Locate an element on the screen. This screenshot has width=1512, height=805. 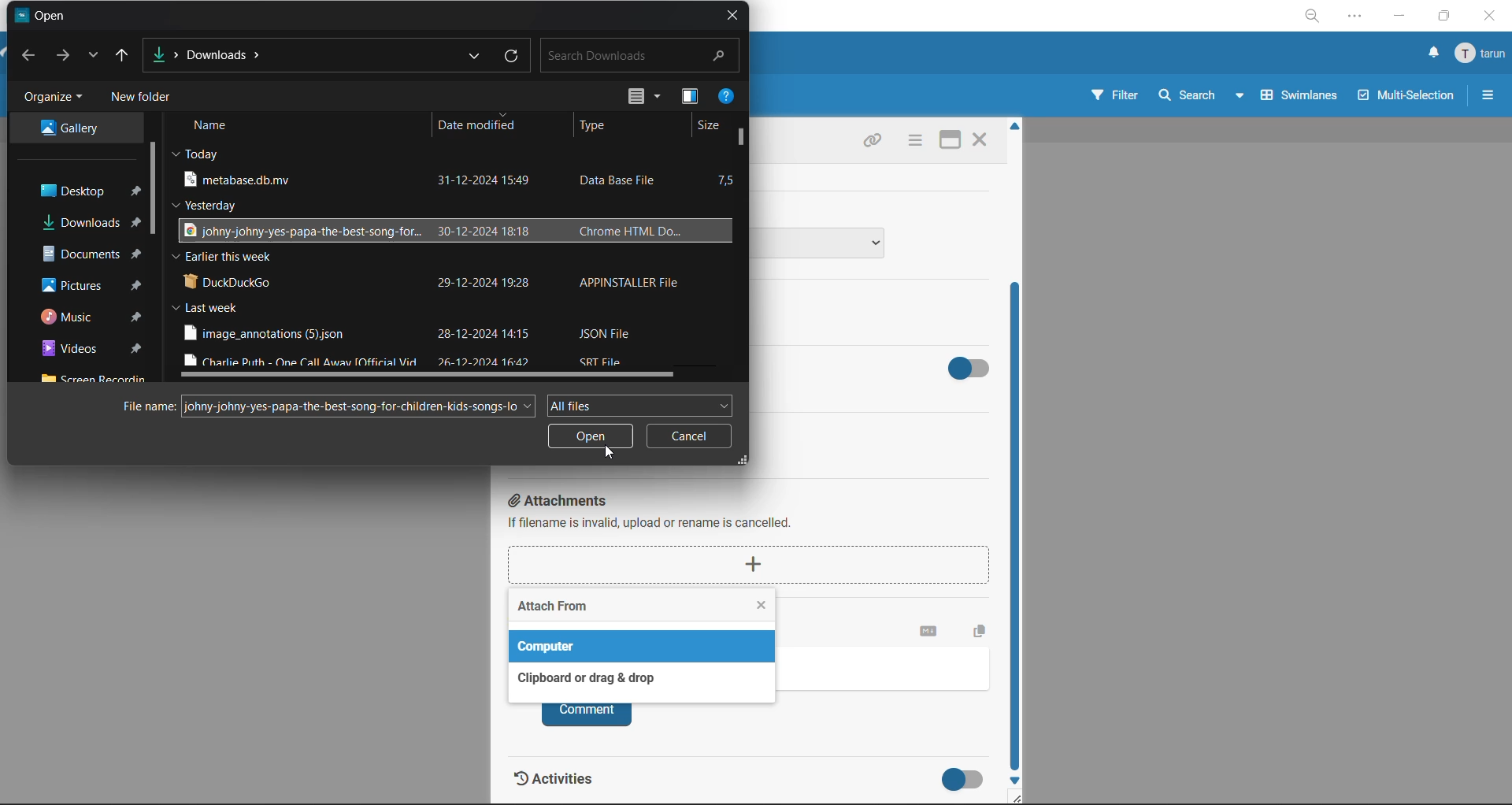
show preview is located at coordinates (690, 100).